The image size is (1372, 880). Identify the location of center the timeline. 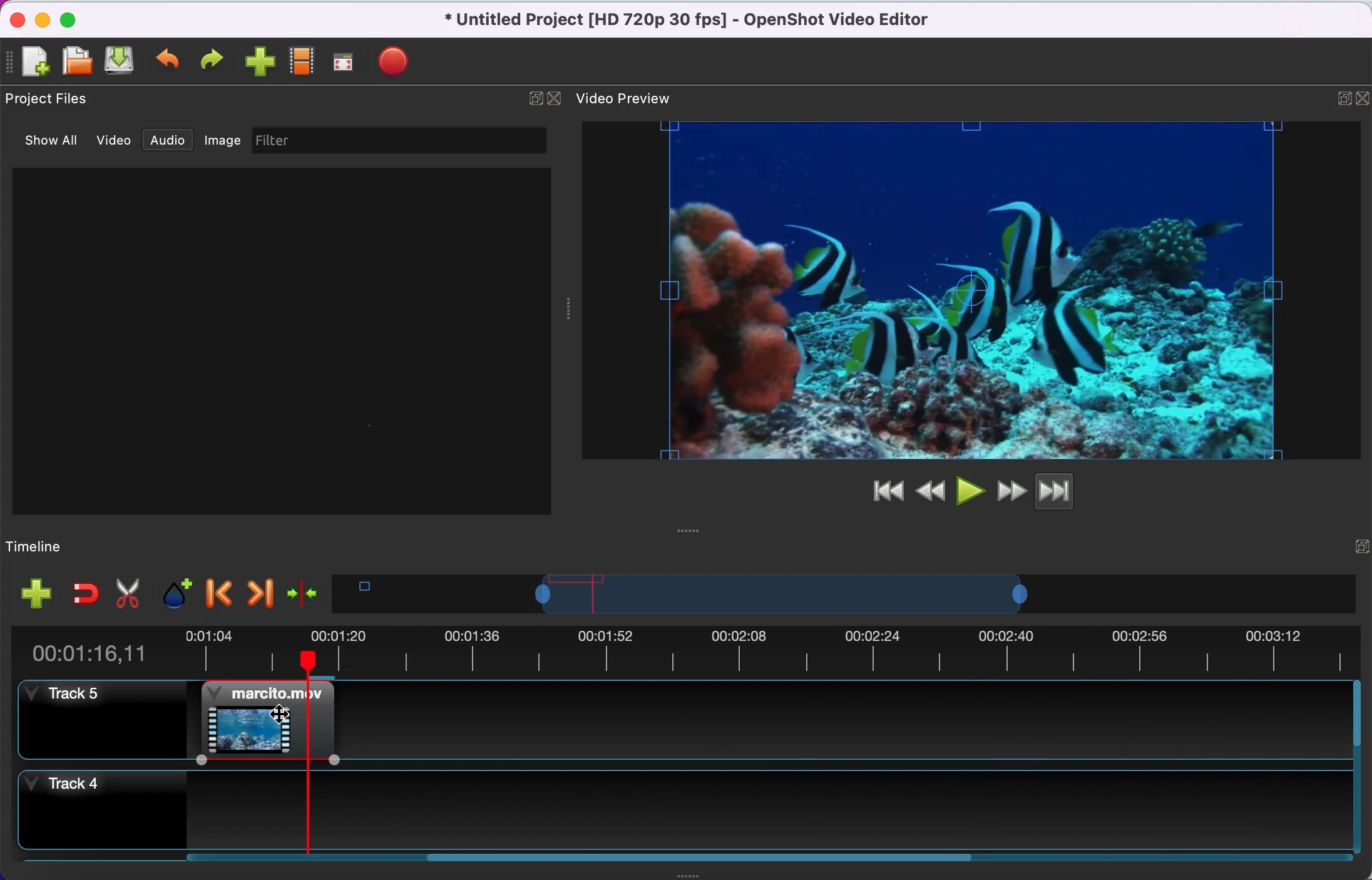
(307, 593).